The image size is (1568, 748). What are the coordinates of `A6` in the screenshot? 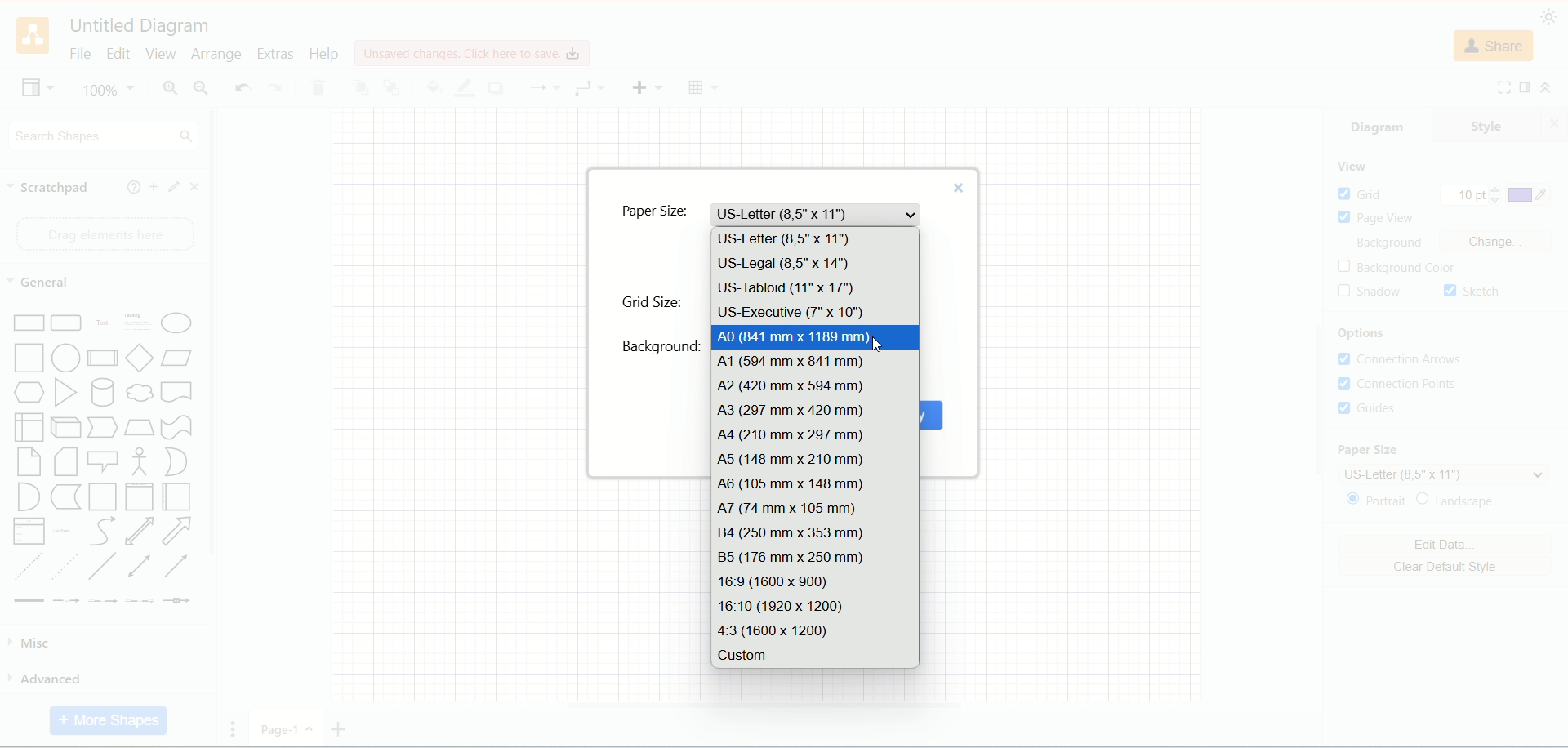 It's located at (815, 484).